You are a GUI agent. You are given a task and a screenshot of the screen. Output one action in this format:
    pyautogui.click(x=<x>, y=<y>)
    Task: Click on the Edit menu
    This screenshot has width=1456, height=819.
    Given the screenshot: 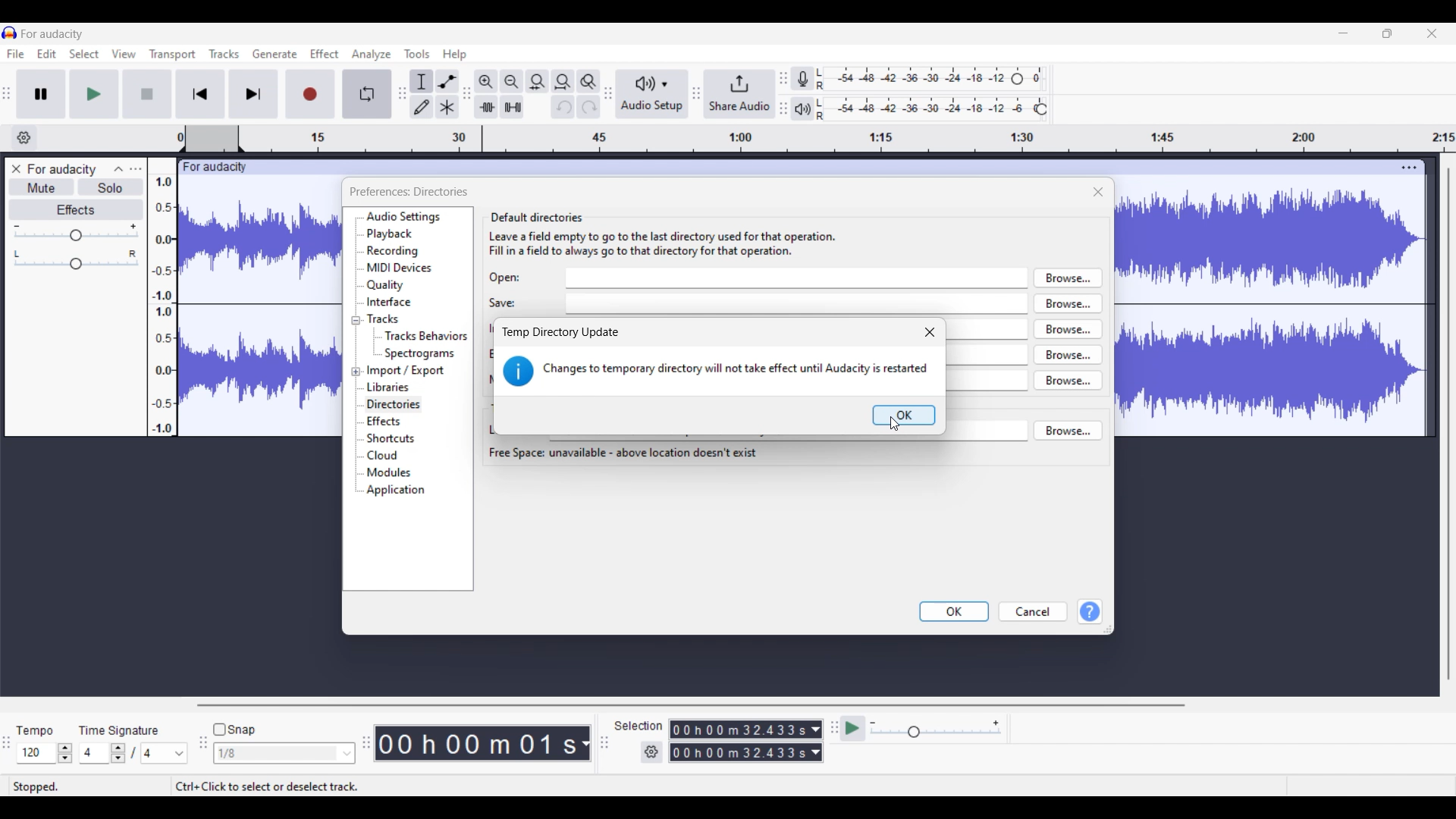 What is the action you would take?
    pyautogui.click(x=47, y=54)
    